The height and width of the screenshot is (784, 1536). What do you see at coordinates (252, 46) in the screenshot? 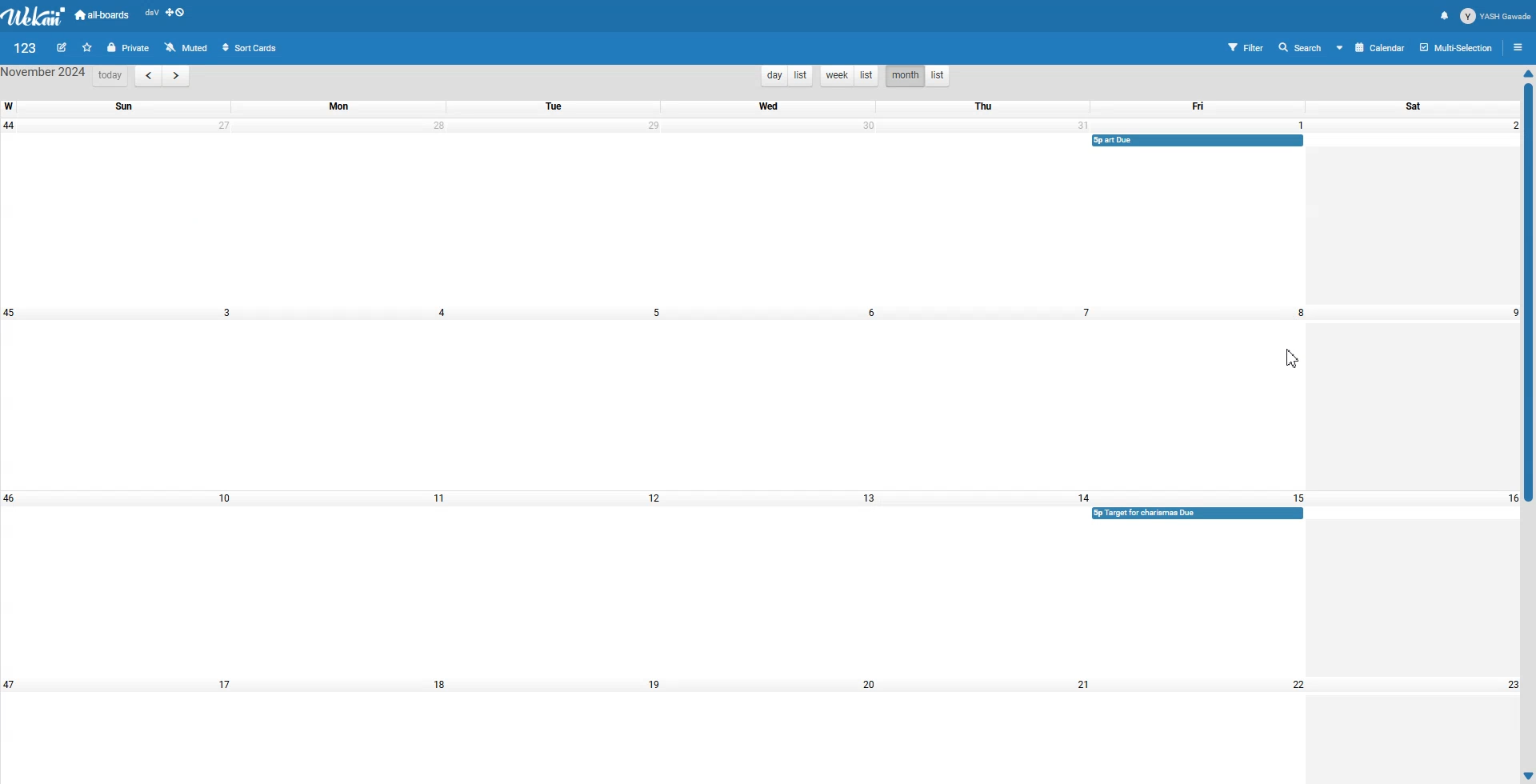
I see `Sort Cards` at bounding box center [252, 46].